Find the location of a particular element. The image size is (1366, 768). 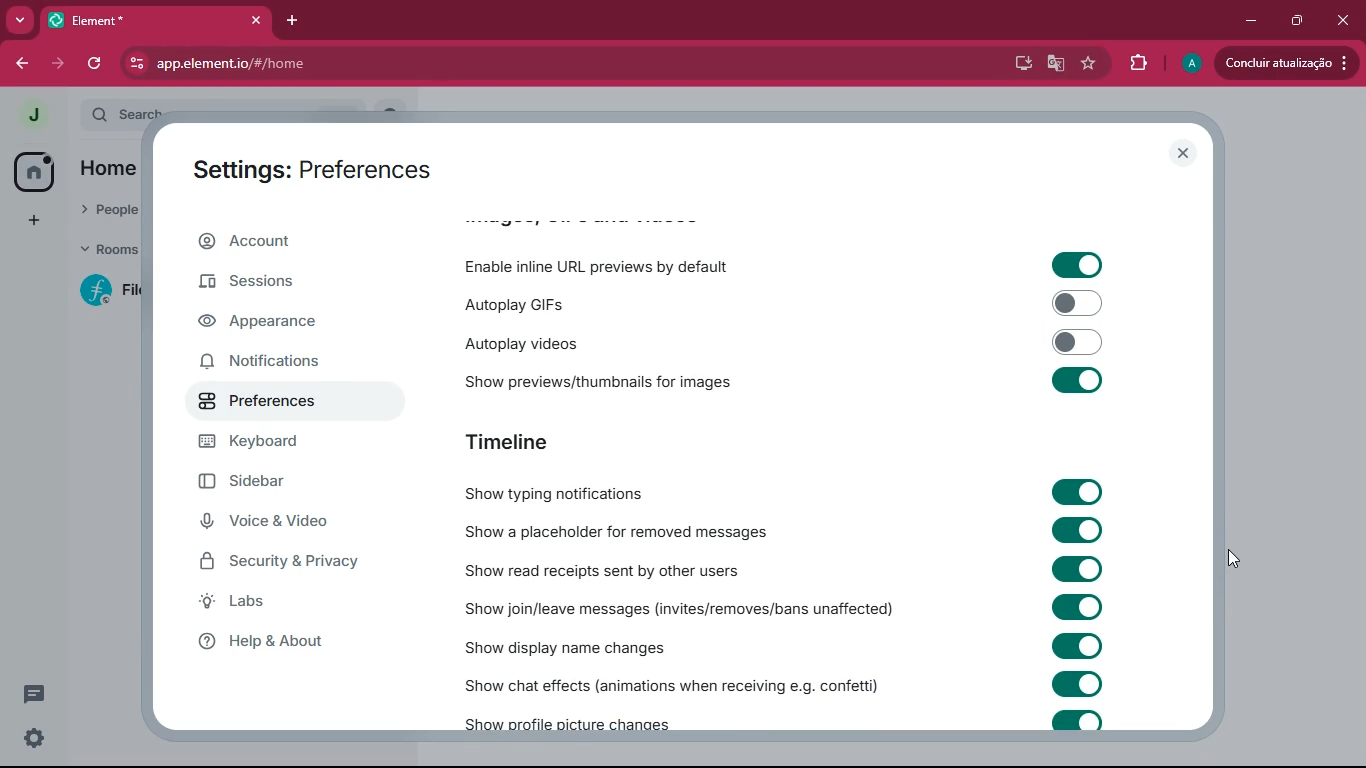

sidebar is located at coordinates (272, 482).